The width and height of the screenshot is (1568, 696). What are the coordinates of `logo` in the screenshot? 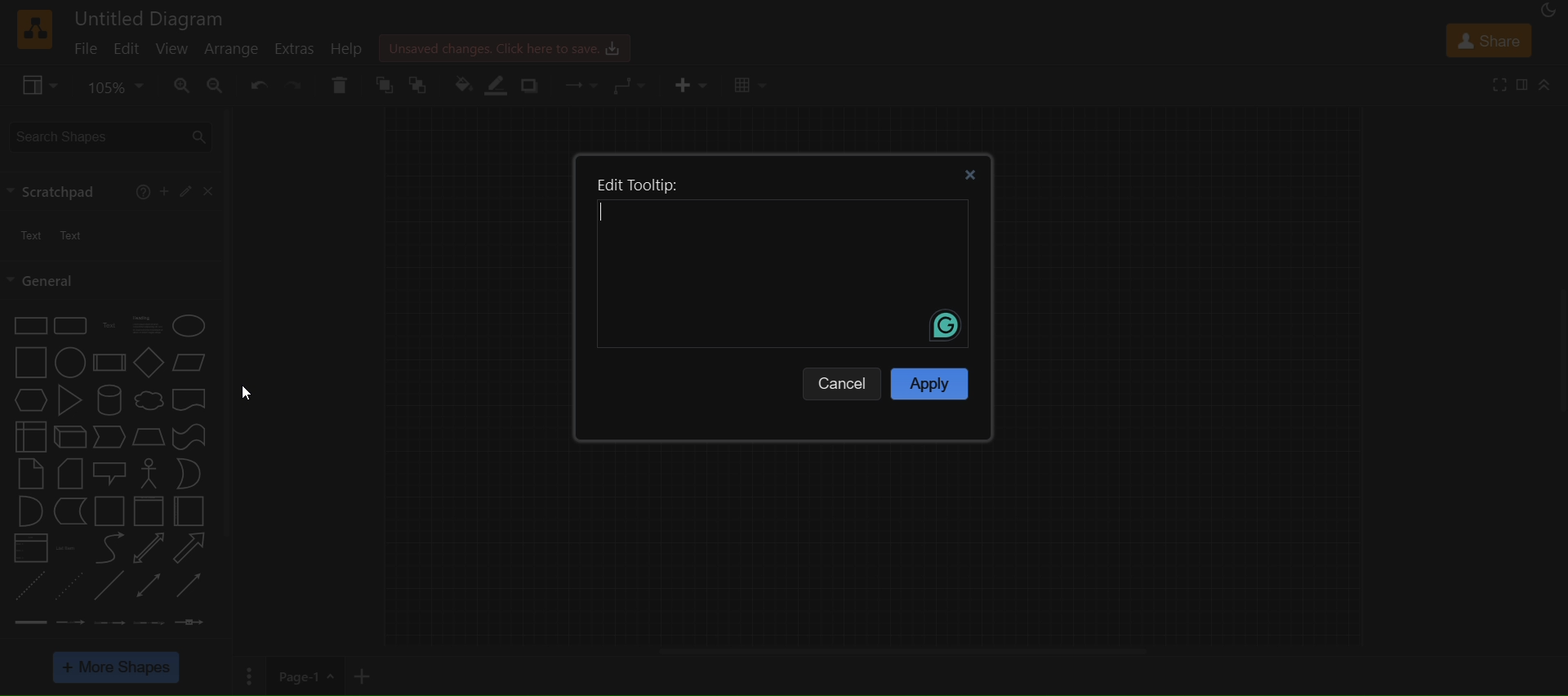 It's located at (33, 30).